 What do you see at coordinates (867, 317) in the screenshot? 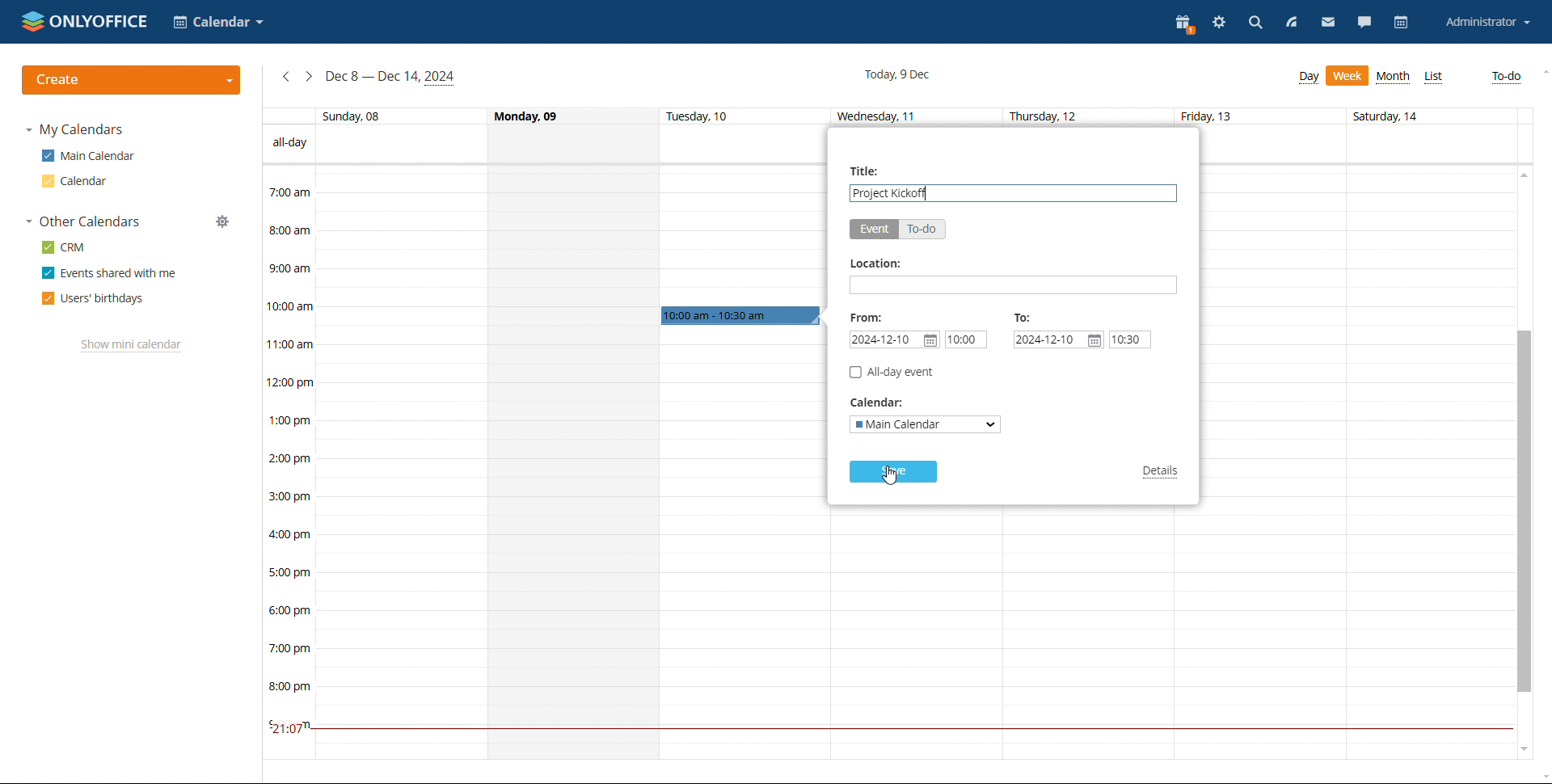
I see `From:` at bounding box center [867, 317].